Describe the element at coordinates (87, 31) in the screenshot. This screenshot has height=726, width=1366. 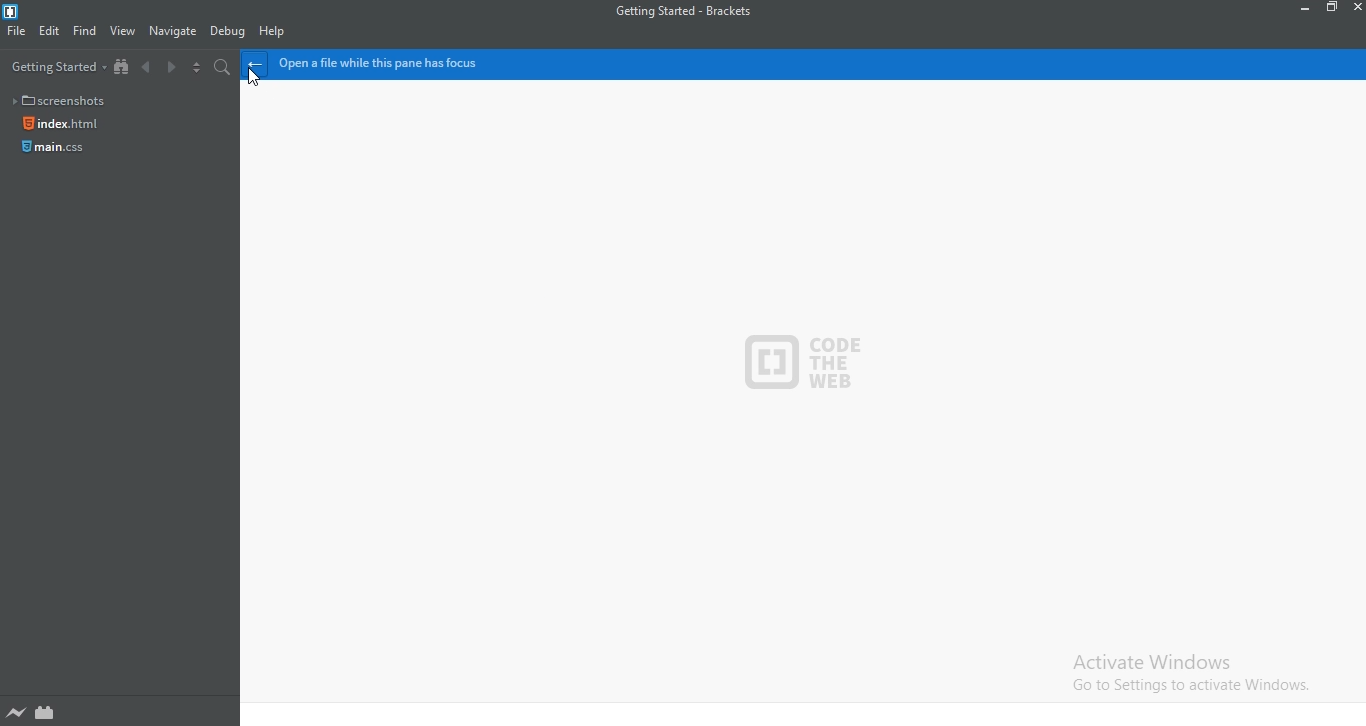
I see `Find` at that location.